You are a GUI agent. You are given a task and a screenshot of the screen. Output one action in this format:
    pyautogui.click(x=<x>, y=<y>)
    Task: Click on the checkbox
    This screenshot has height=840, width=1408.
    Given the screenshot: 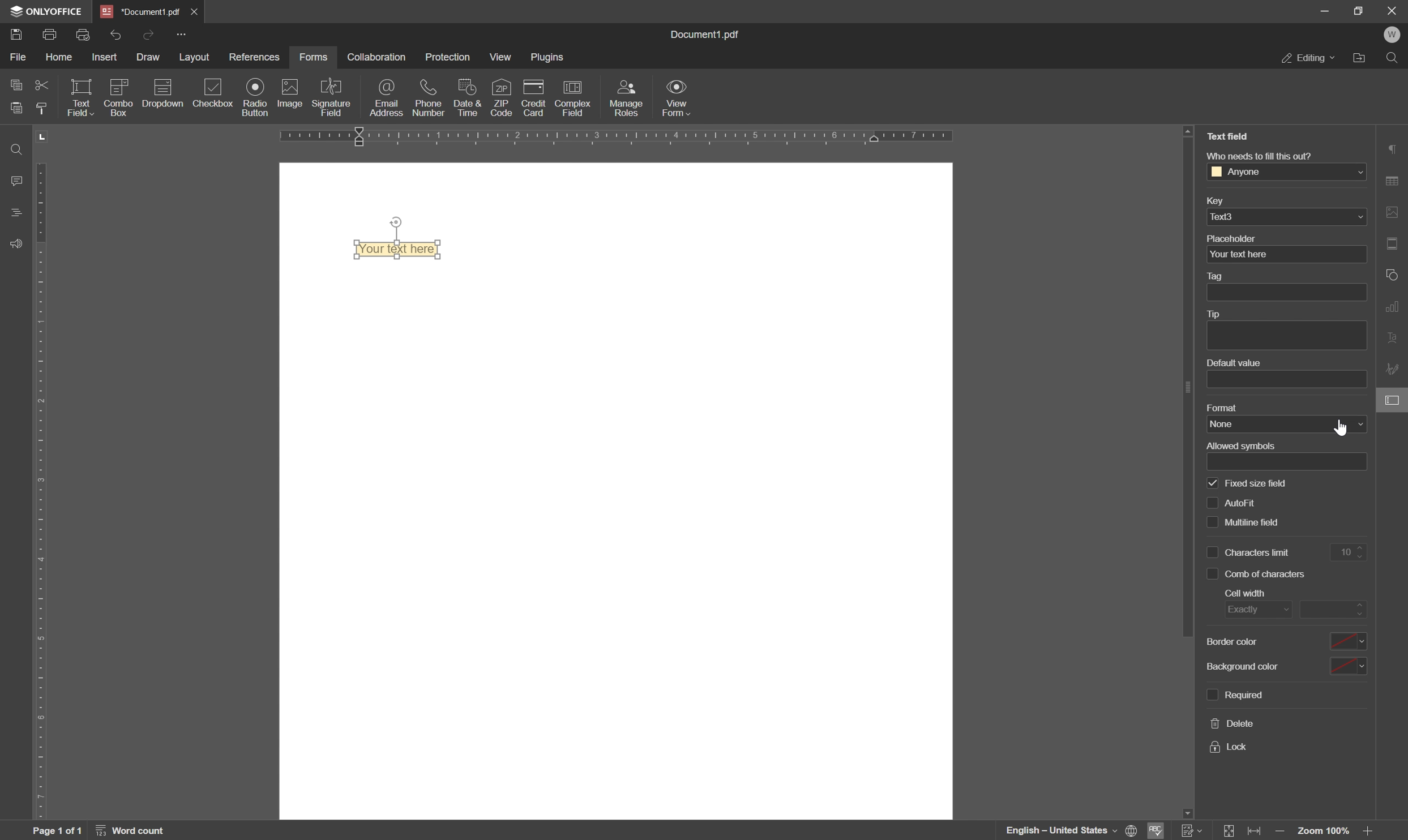 What is the action you would take?
    pyautogui.click(x=1212, y=552)
    